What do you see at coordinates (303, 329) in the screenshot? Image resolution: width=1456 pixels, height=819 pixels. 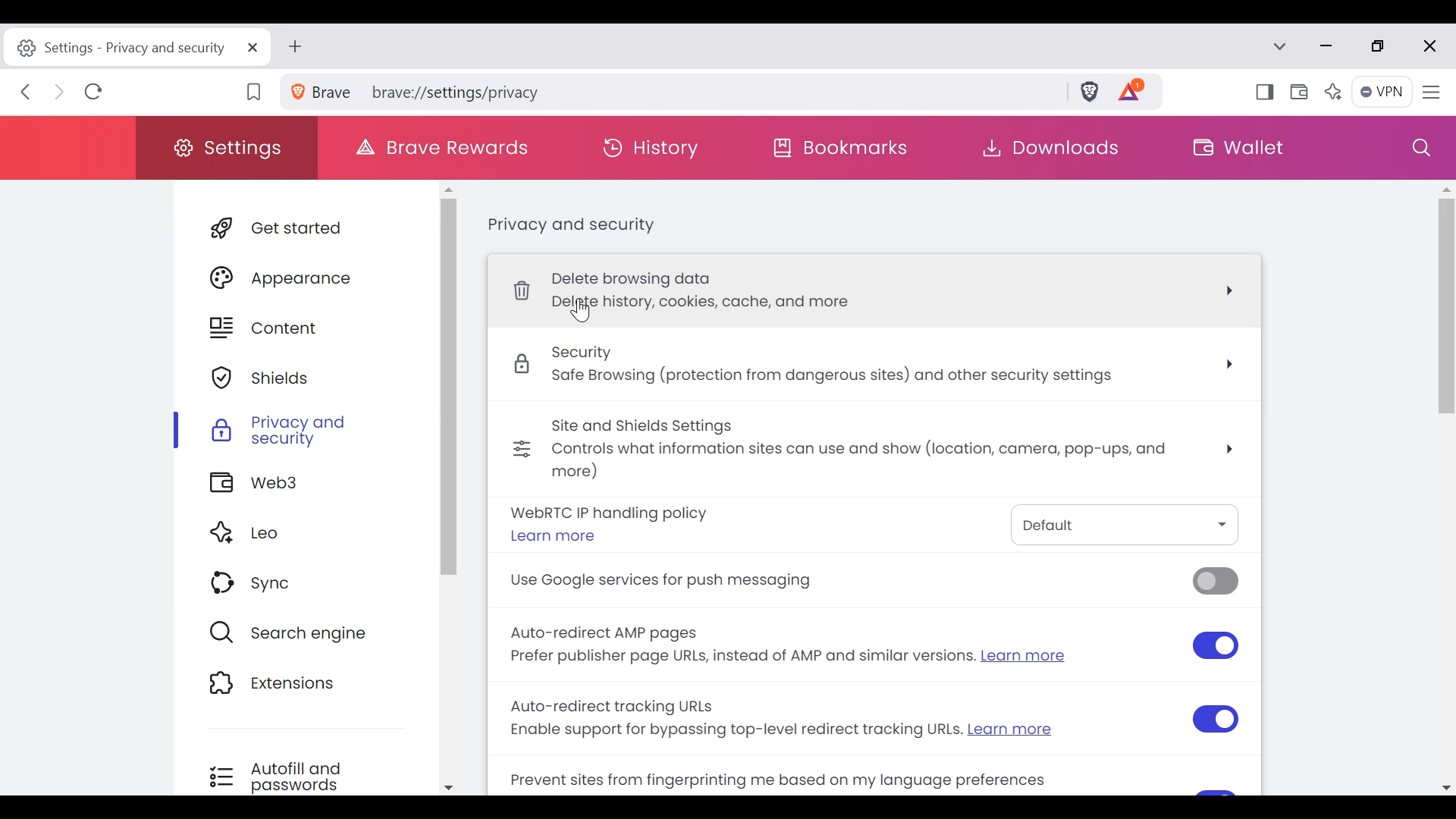 I see `Content` at bounding box center [303, 329].